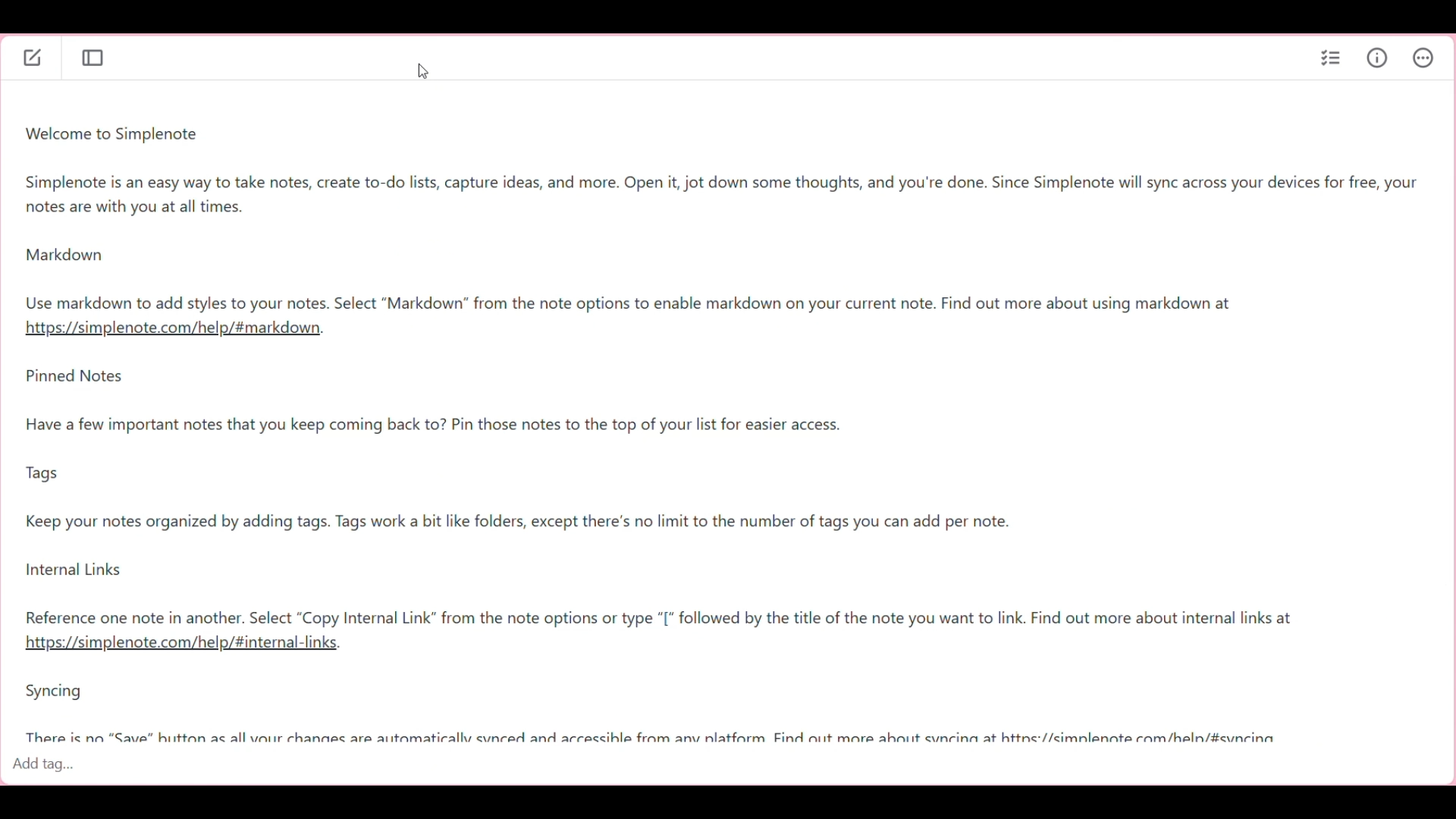  What do you see at coordinates (424, 71) in the screenshot?
I see `Cursor position unchanged ` at bounding box center [424, 71].